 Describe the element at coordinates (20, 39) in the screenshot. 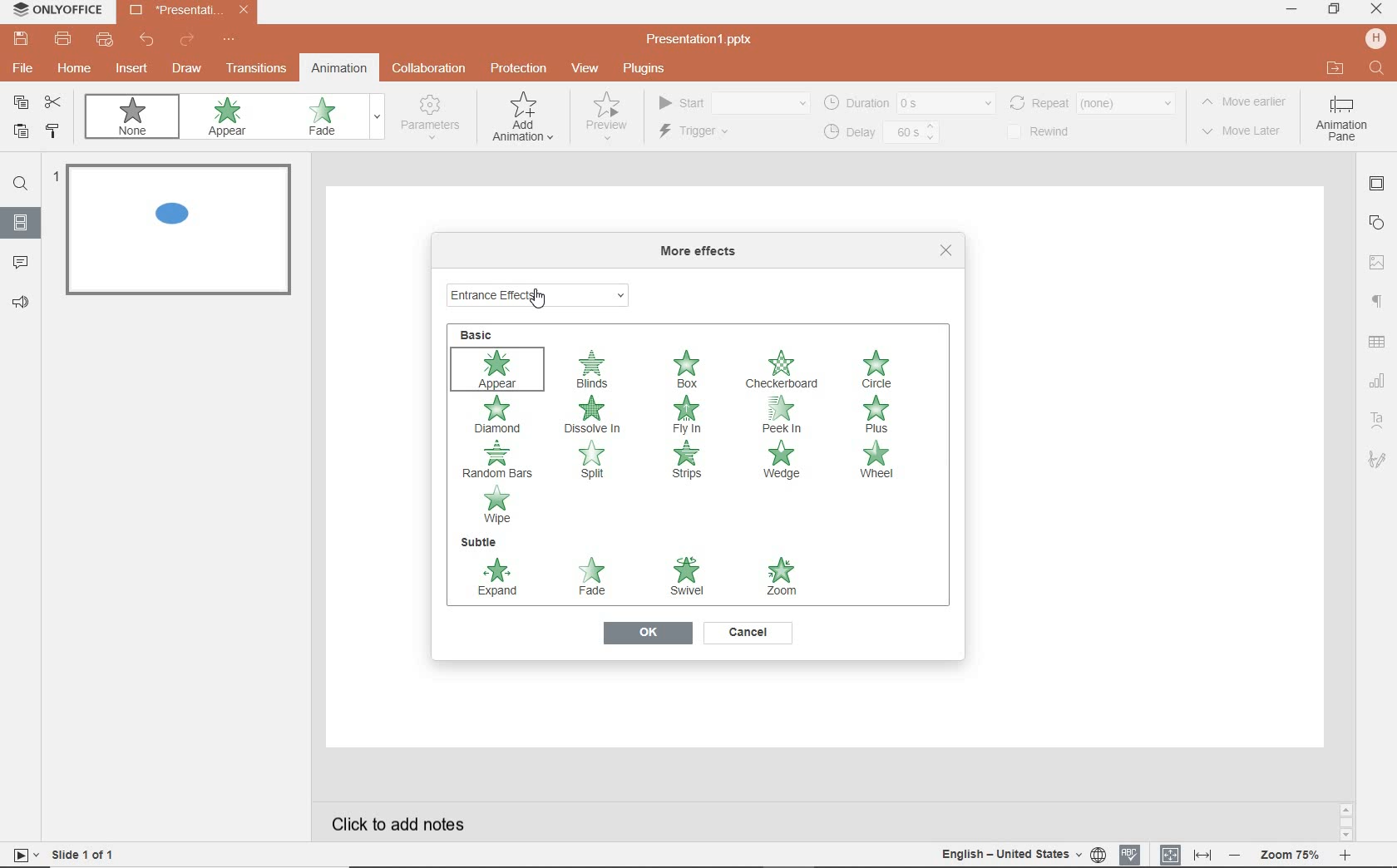

I see `save` at that location.